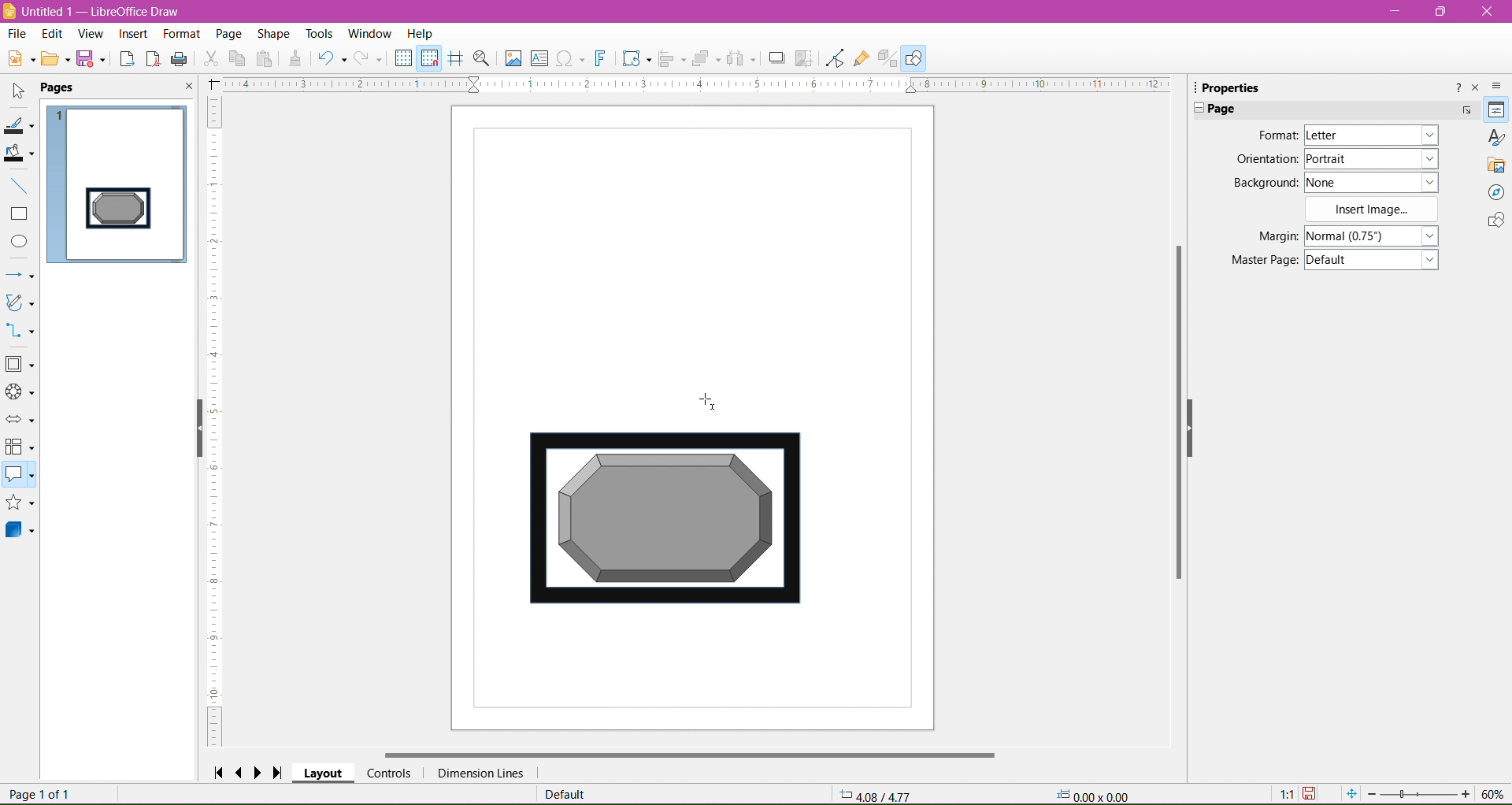 The height and width of the screenshot is (805, 1512). What do you see at coordinates (1370, 236) in the screenshot?
I see `Select Margin dimensions` at bounding box center [1370, 236].